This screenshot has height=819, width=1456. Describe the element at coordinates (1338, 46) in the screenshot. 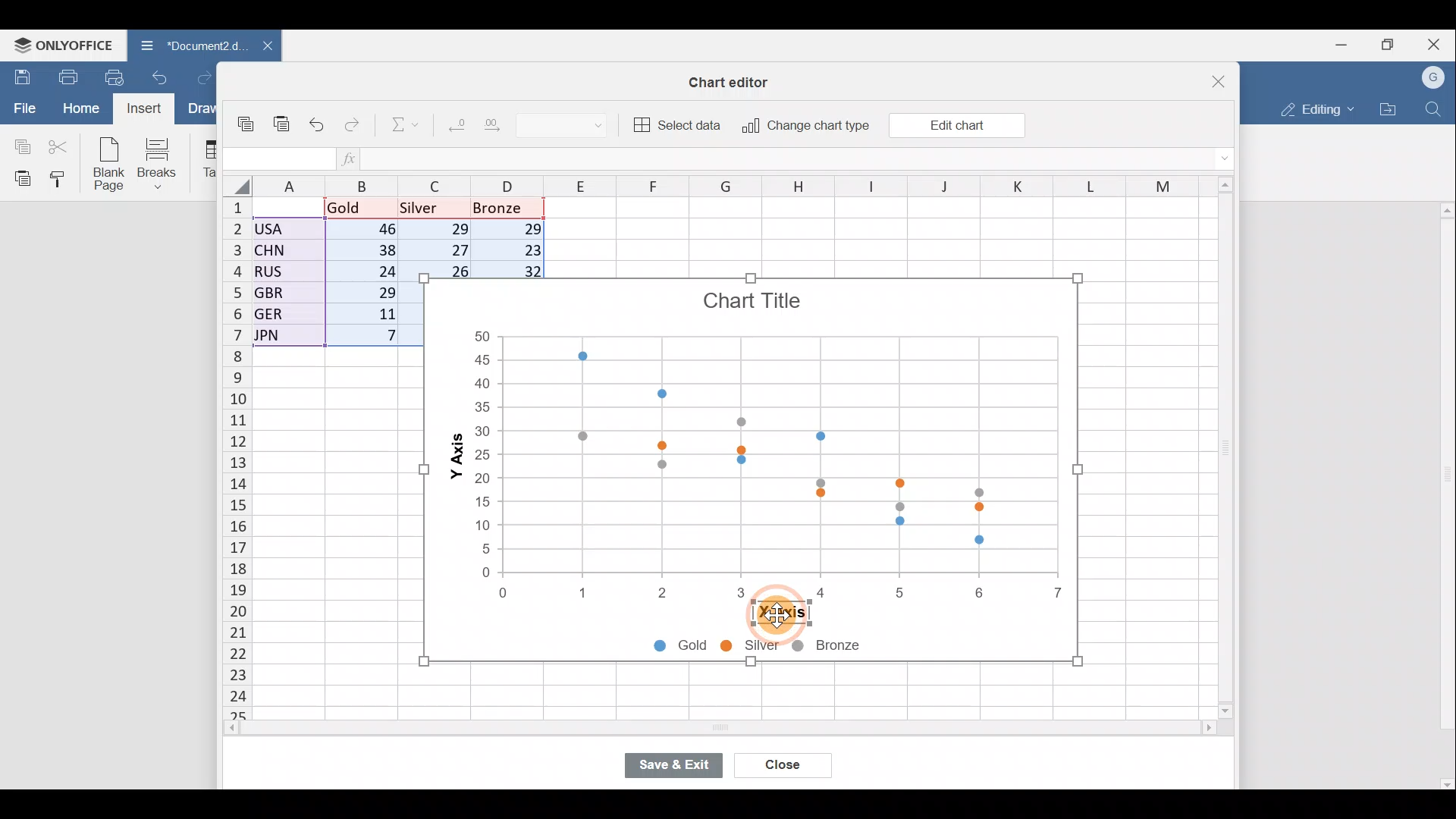

I see `Minimize` at that location.